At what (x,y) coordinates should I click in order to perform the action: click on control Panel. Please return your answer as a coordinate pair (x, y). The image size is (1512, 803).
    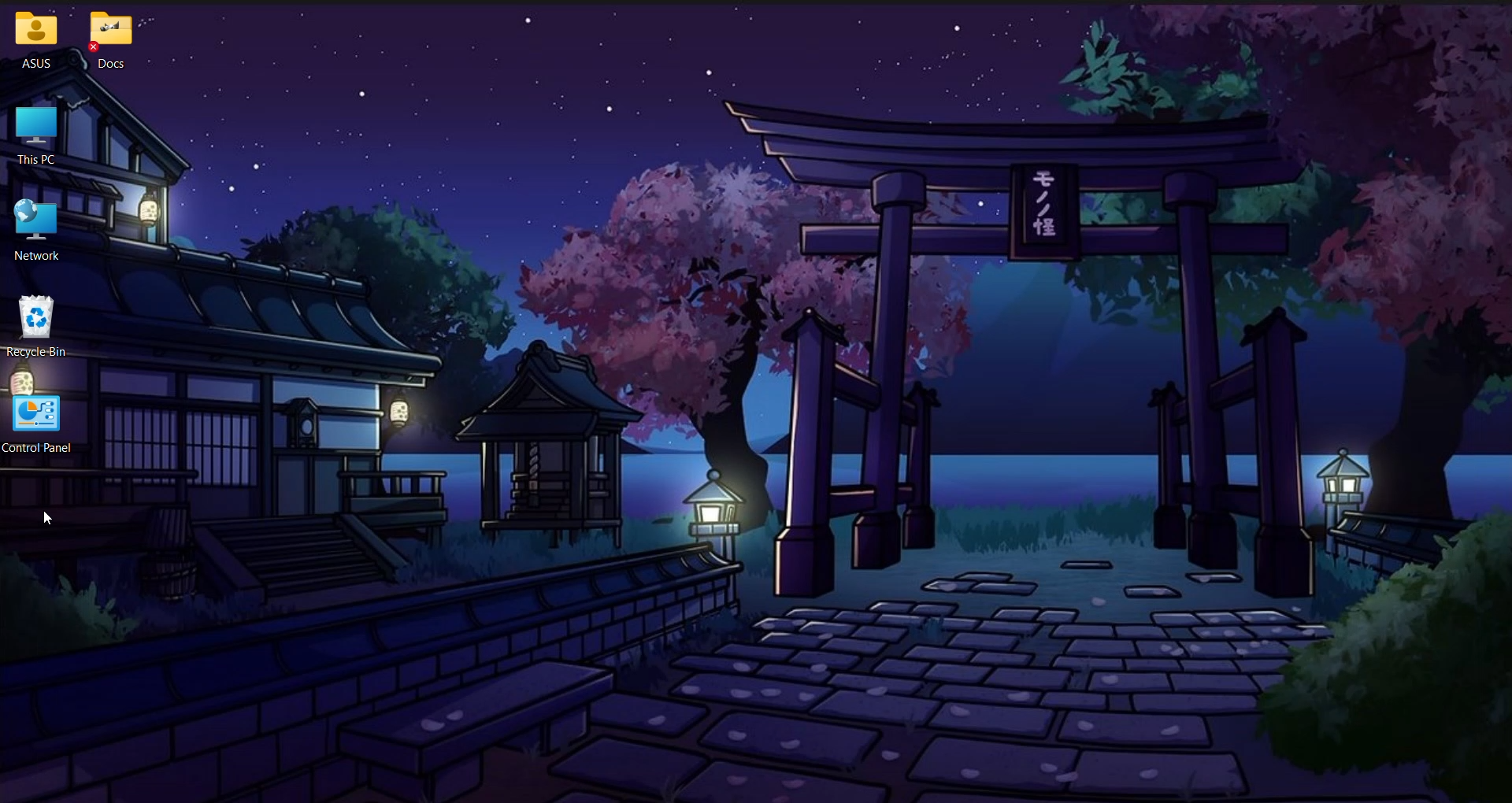
    Looking at the image, I should click on (46, 423).